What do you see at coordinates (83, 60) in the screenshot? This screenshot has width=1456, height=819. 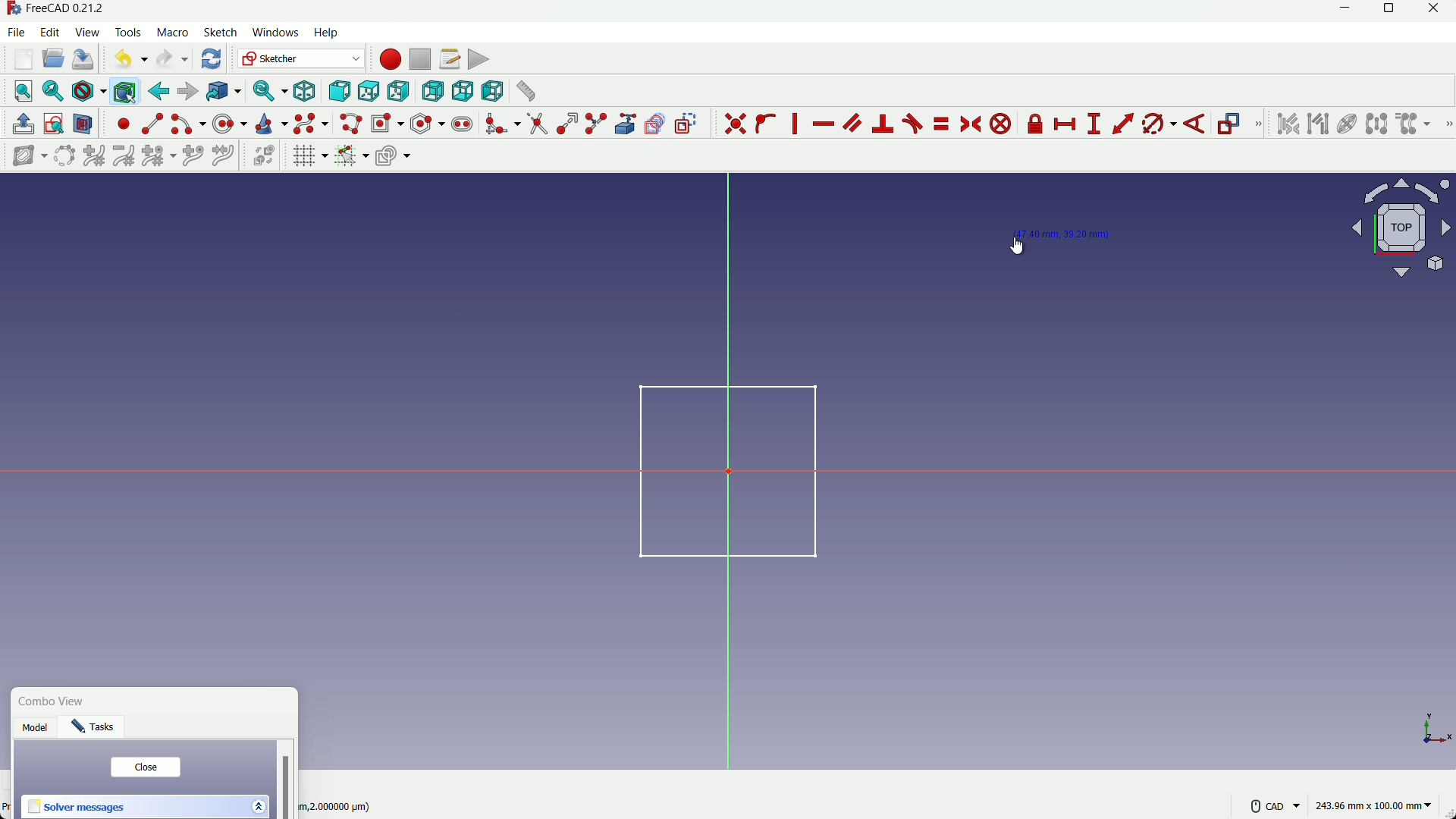 I see `save file` at bounding box center [83, 60].